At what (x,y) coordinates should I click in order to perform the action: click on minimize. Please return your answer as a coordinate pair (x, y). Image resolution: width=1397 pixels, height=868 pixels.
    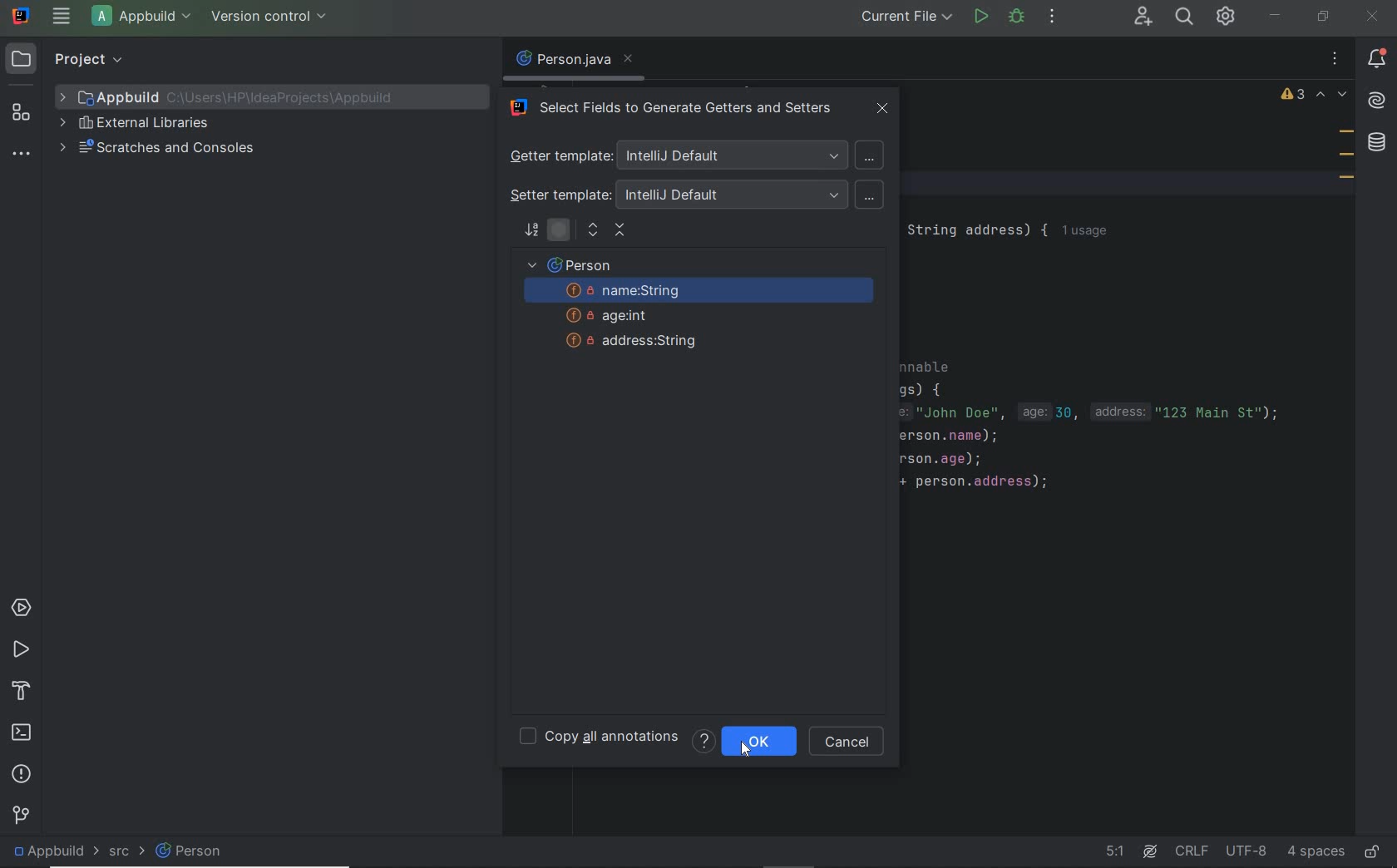
    Looking at the image, I should click on (1275, 15).